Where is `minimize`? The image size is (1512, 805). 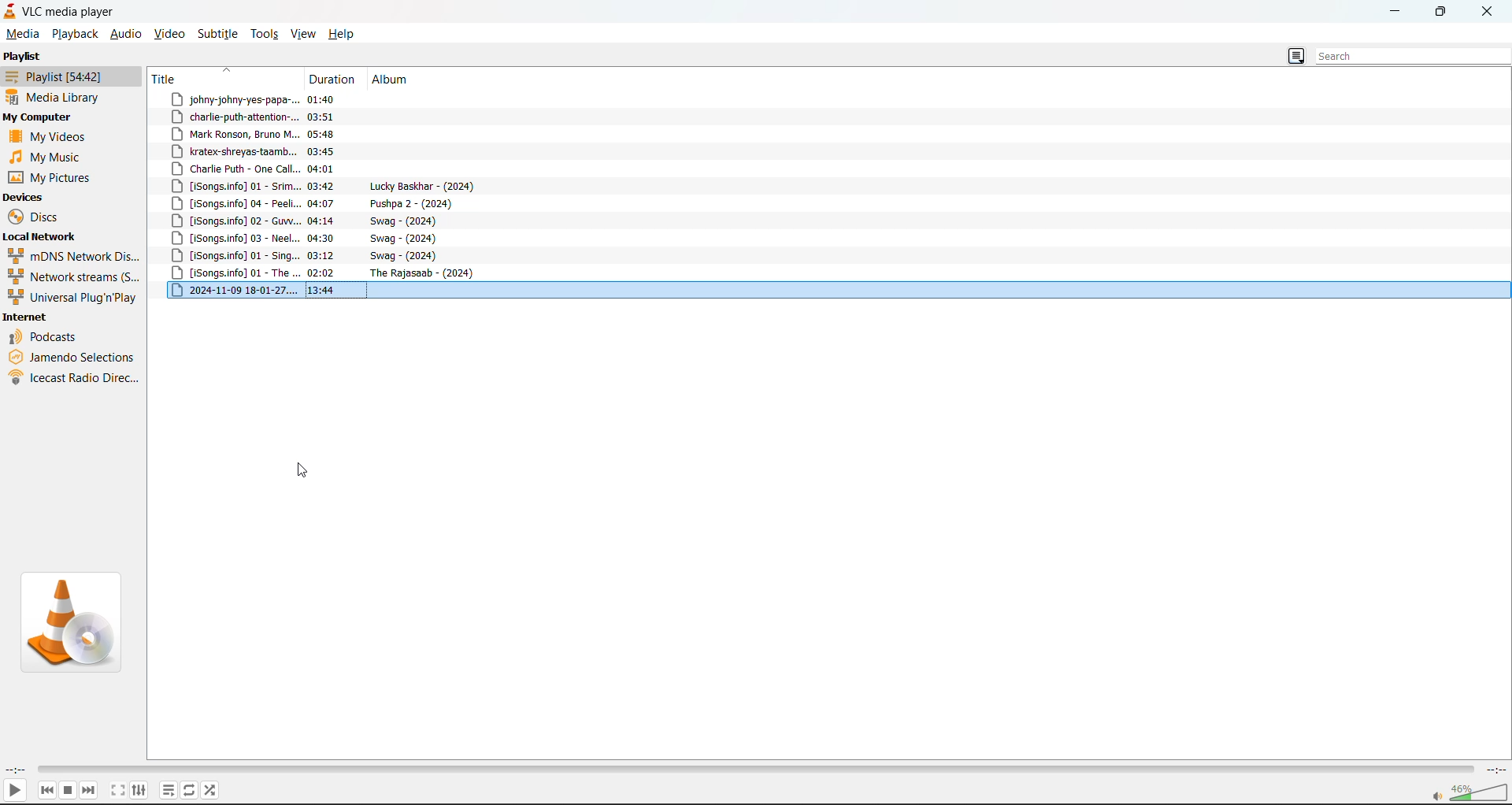 minimize is located at coordinates (1392, 10).